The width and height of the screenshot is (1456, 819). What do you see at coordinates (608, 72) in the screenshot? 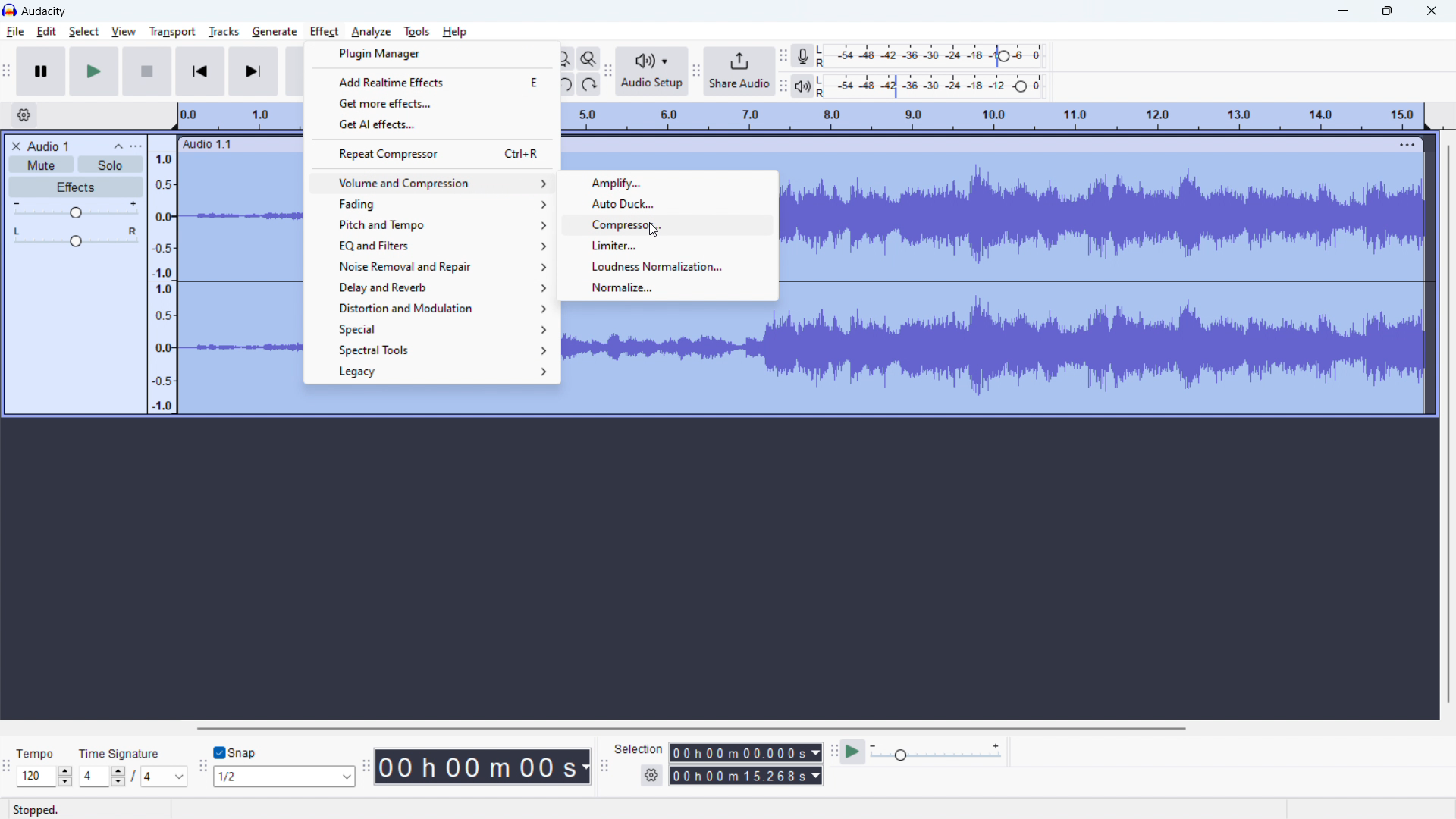
I see `Audio setup toolbar` at bounding box center [608, 72].